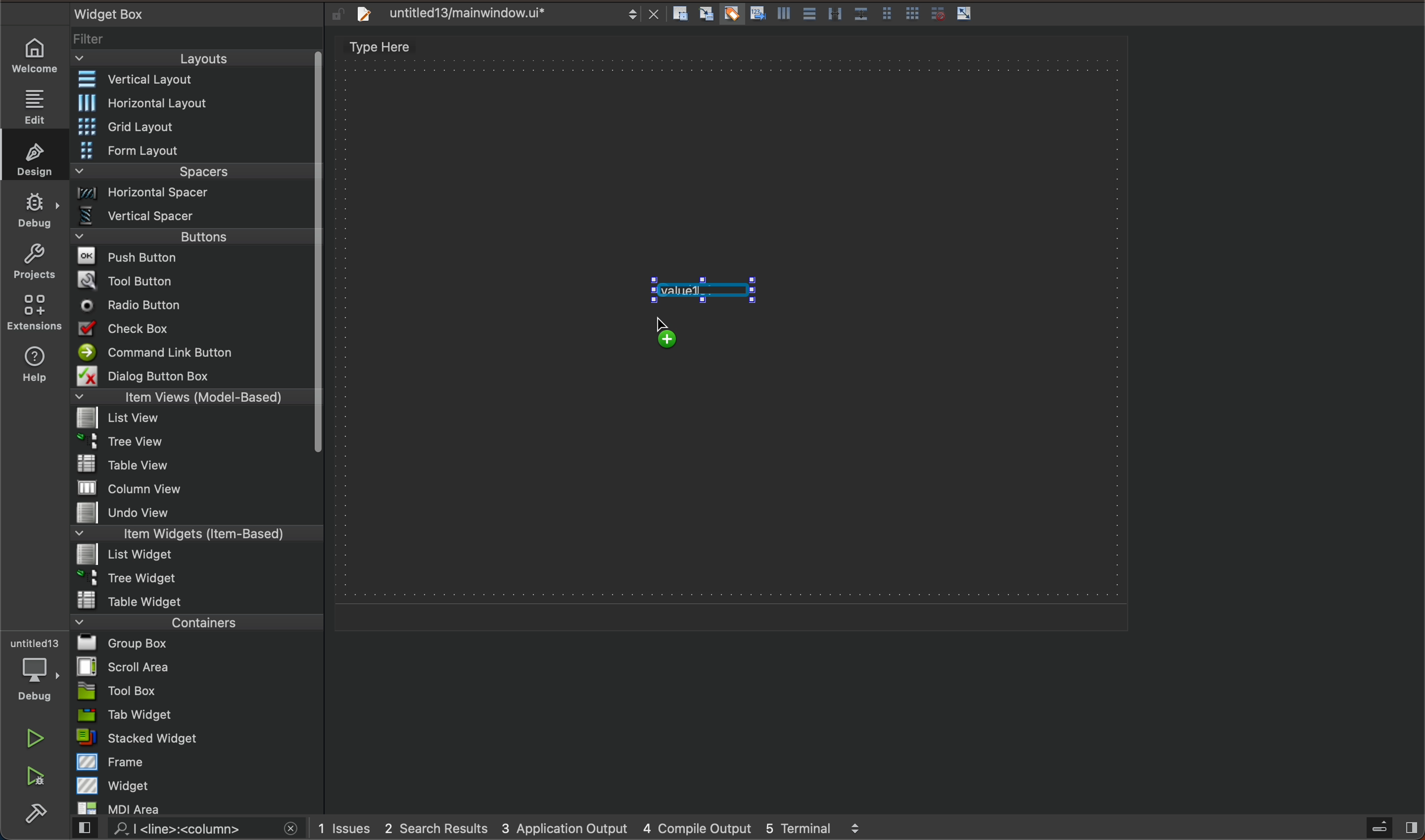 The height and width of the screenshot is (840, 1425). Describe the element at coordinates (192, 259) in the screenshot. I see `push button` at that location.